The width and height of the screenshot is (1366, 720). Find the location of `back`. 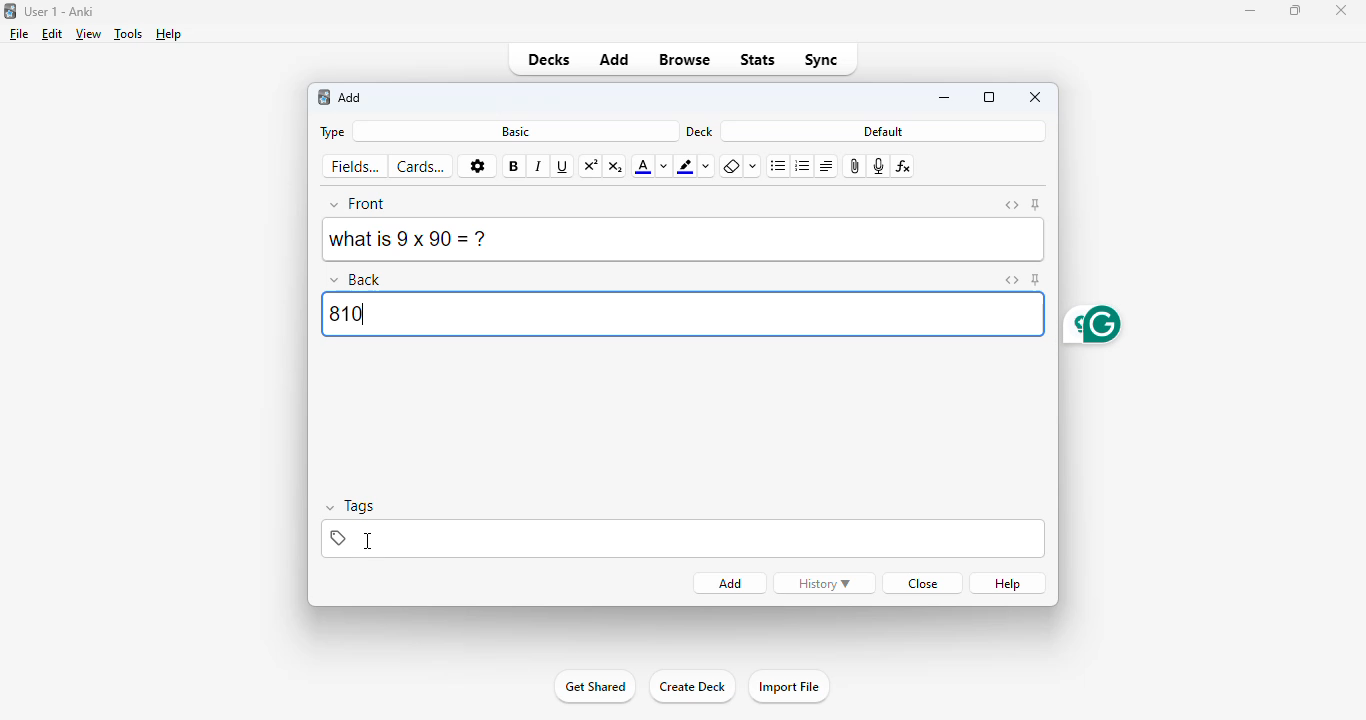

back is located at coordinates (358, 278).